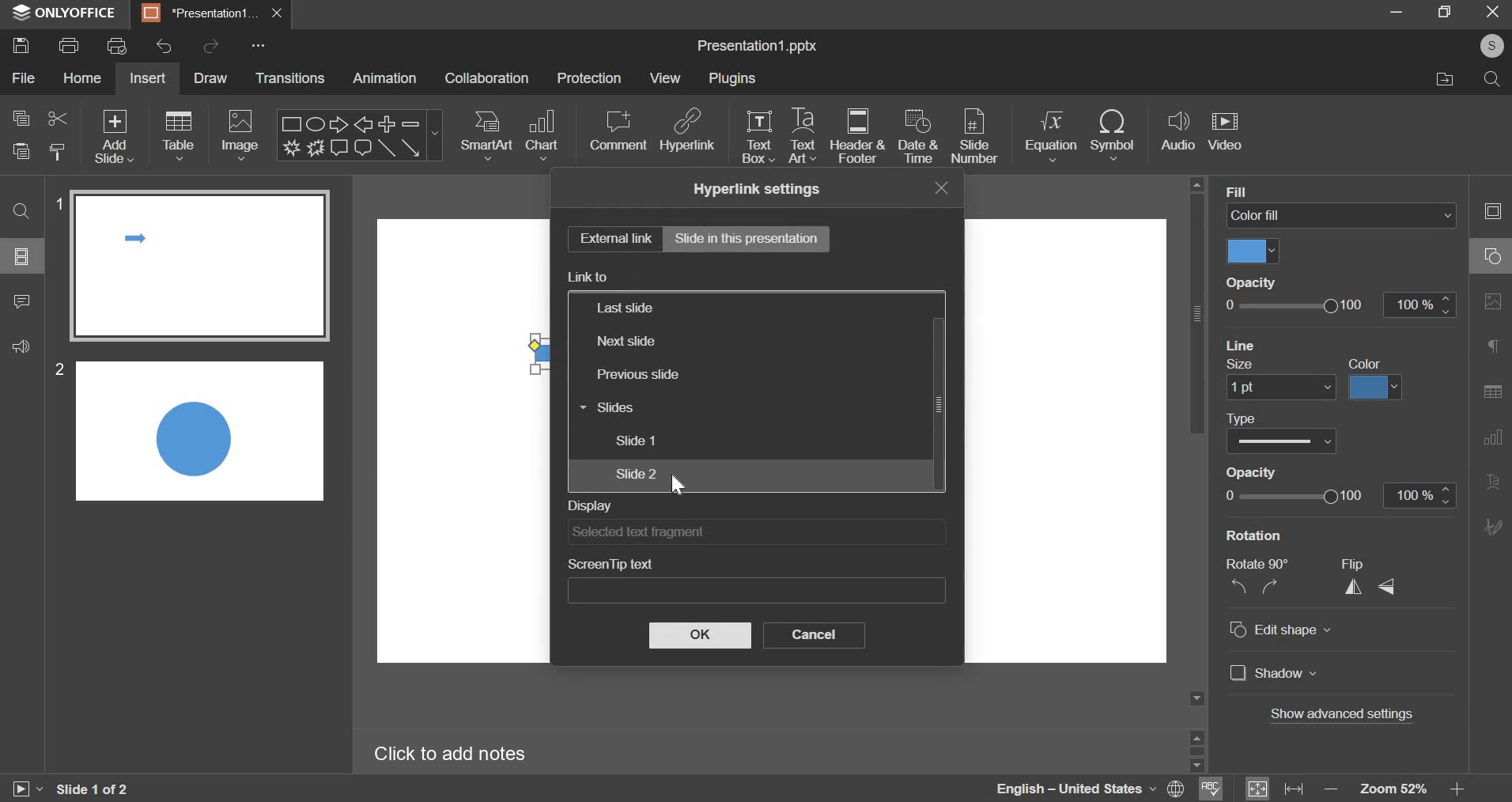 The image size is (1512, 802). Describe the element at coordinates (542, 135) in the screenshot. I see `chart` at that location.